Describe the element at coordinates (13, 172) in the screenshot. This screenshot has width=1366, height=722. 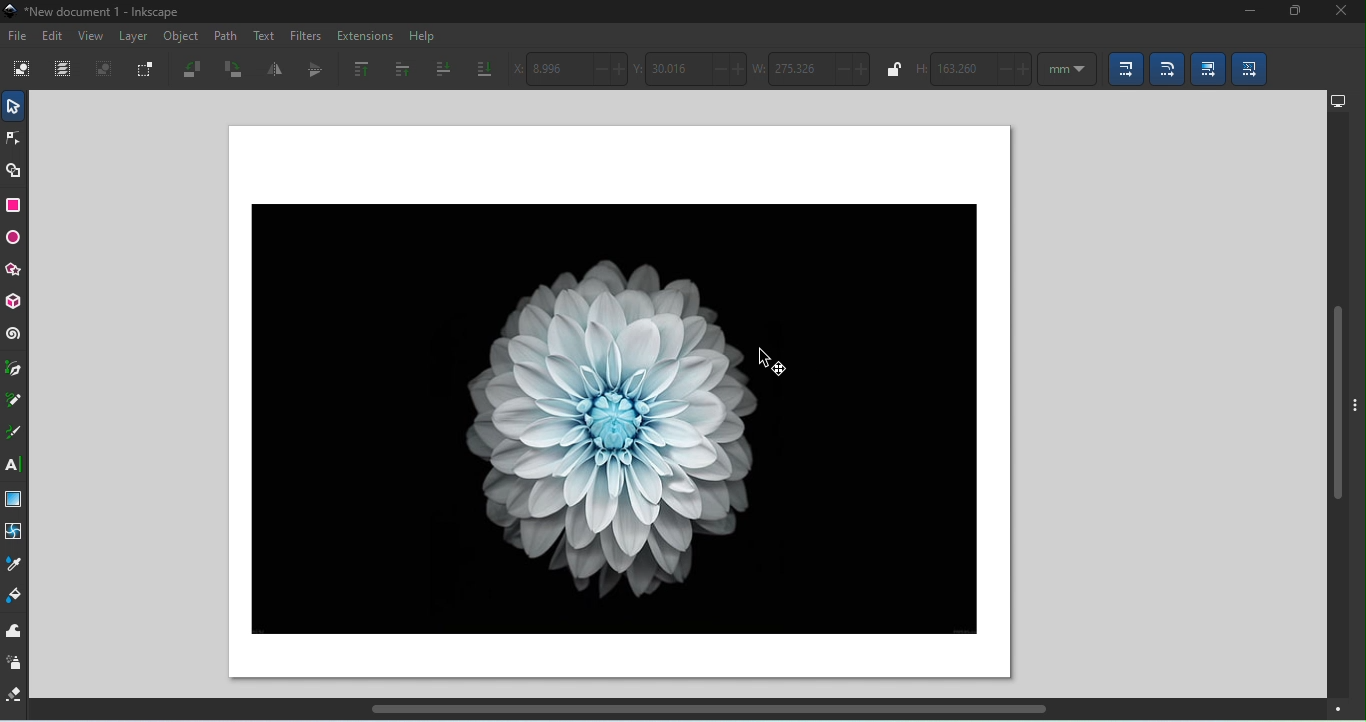
I see `Shape builder tool` at that location.